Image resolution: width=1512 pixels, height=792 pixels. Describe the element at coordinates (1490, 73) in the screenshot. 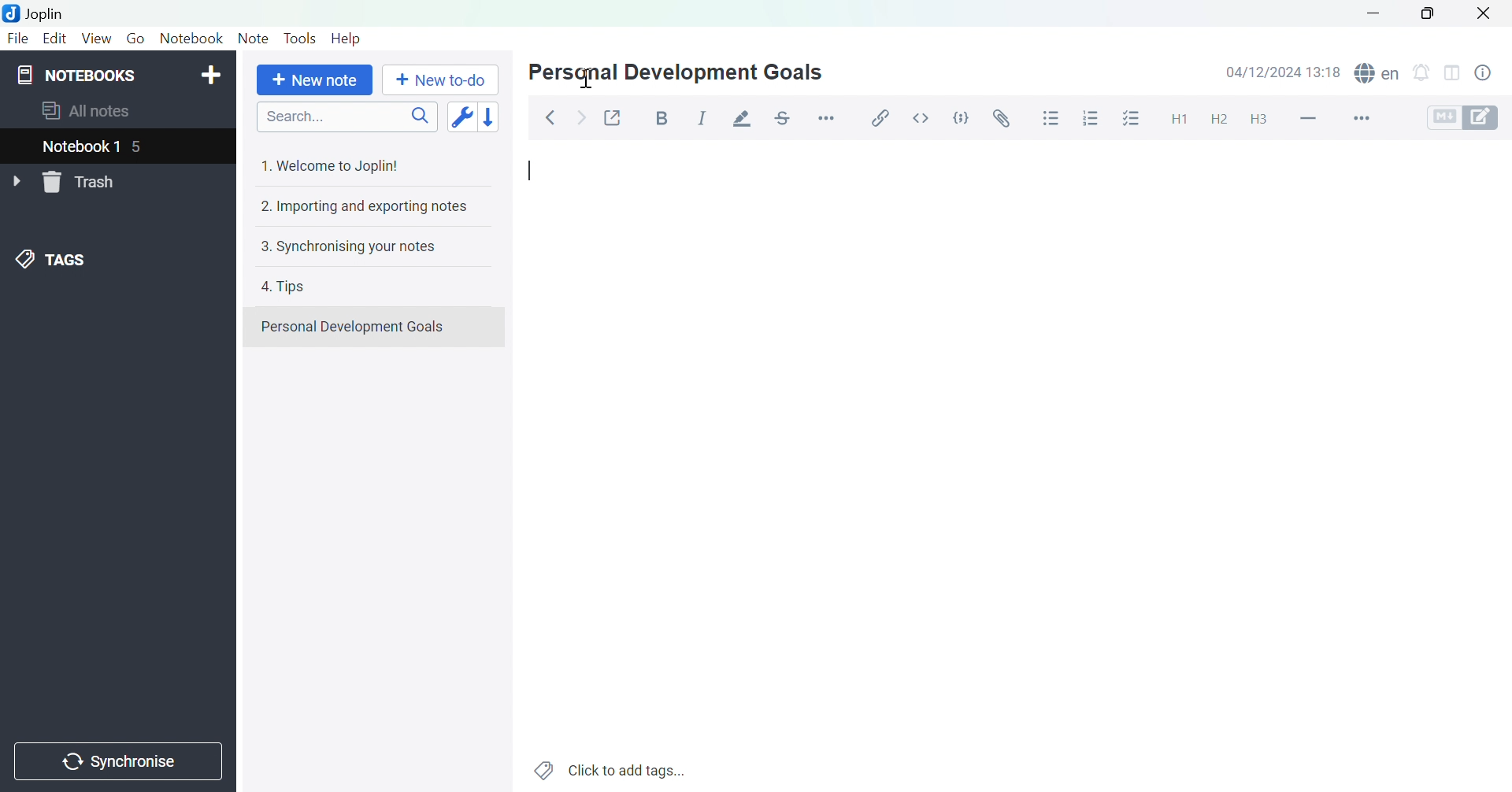

I see `Note properties` at that location.